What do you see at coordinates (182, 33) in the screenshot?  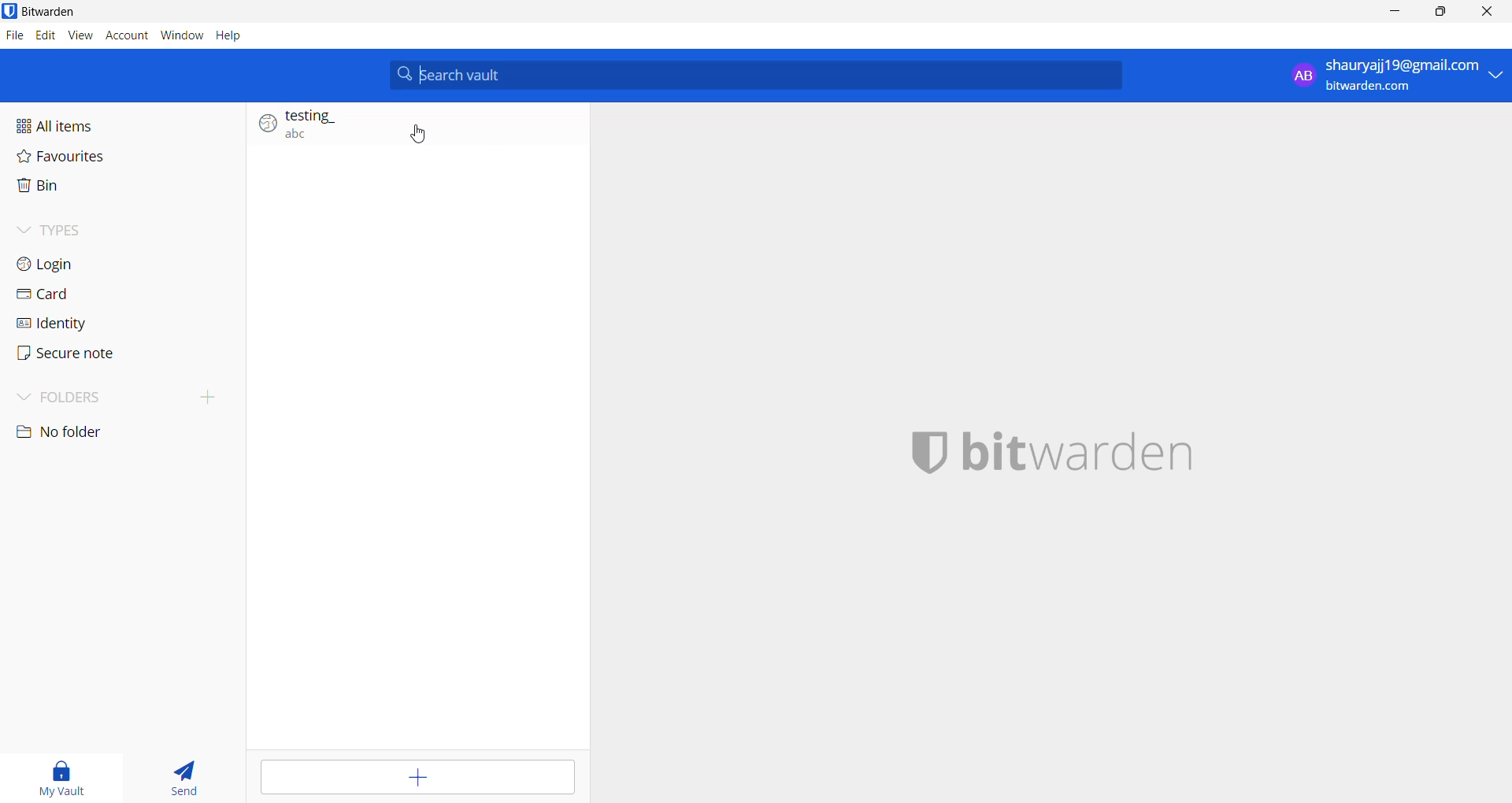 I see `Window` at bounding box center [182, 33].